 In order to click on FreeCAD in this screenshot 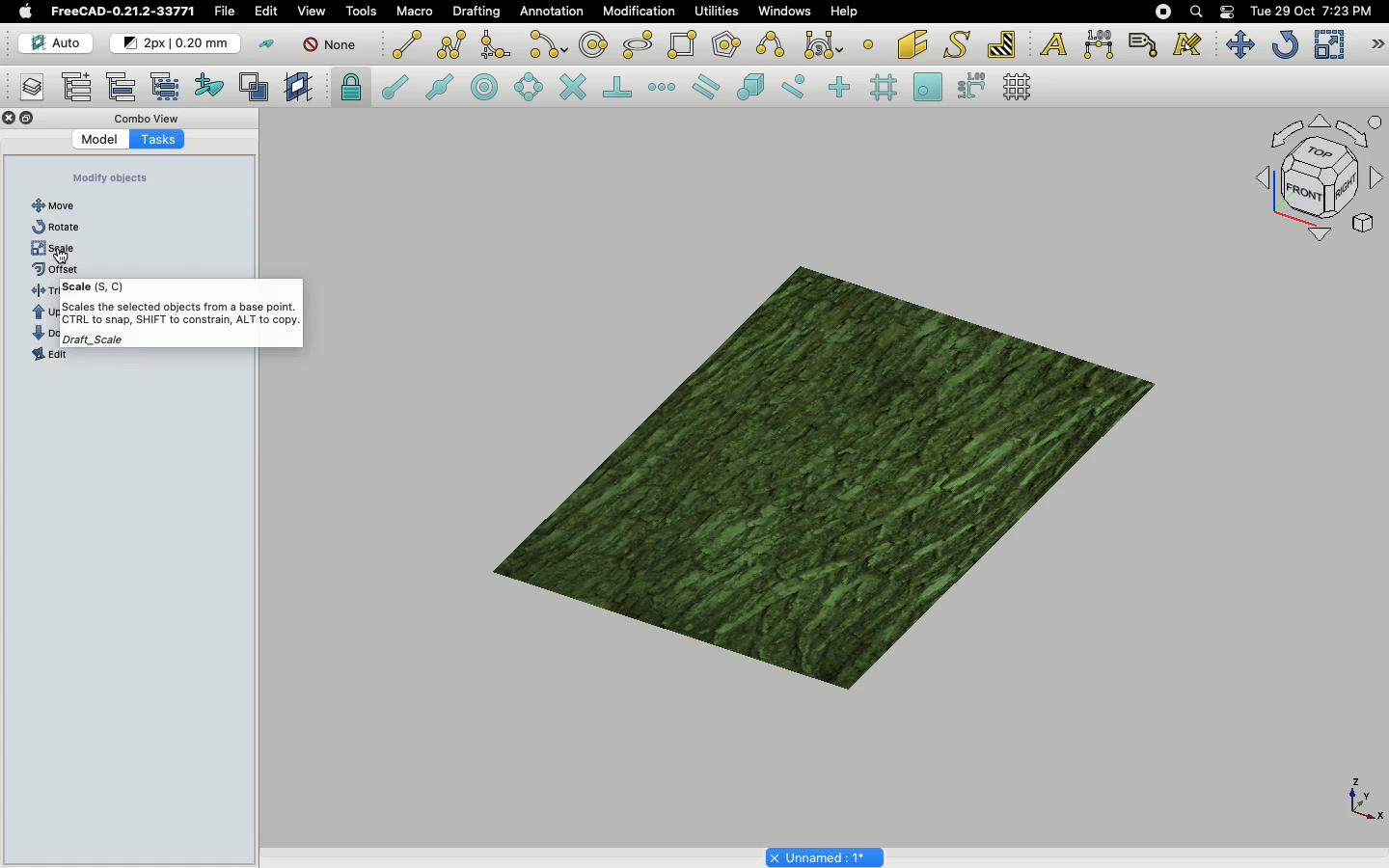, I will do `click(122, 12)`.